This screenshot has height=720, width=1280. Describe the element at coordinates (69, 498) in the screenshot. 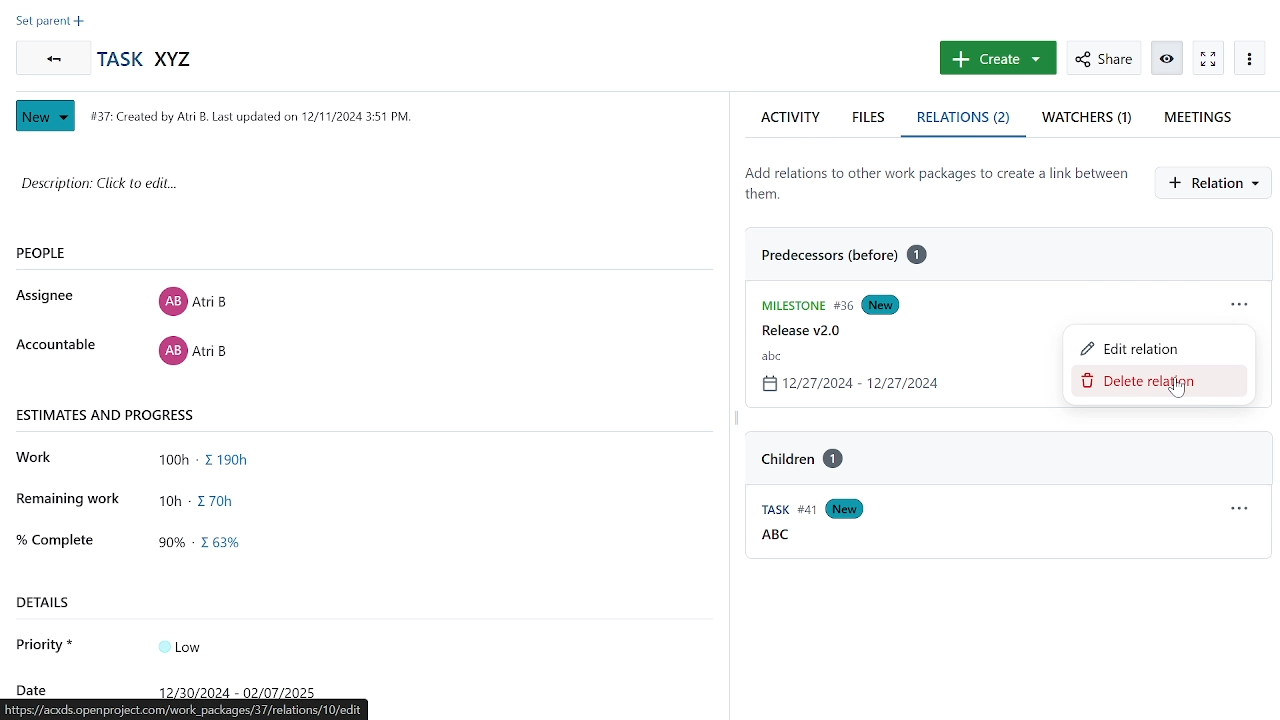

I see `remaining work` at that location.